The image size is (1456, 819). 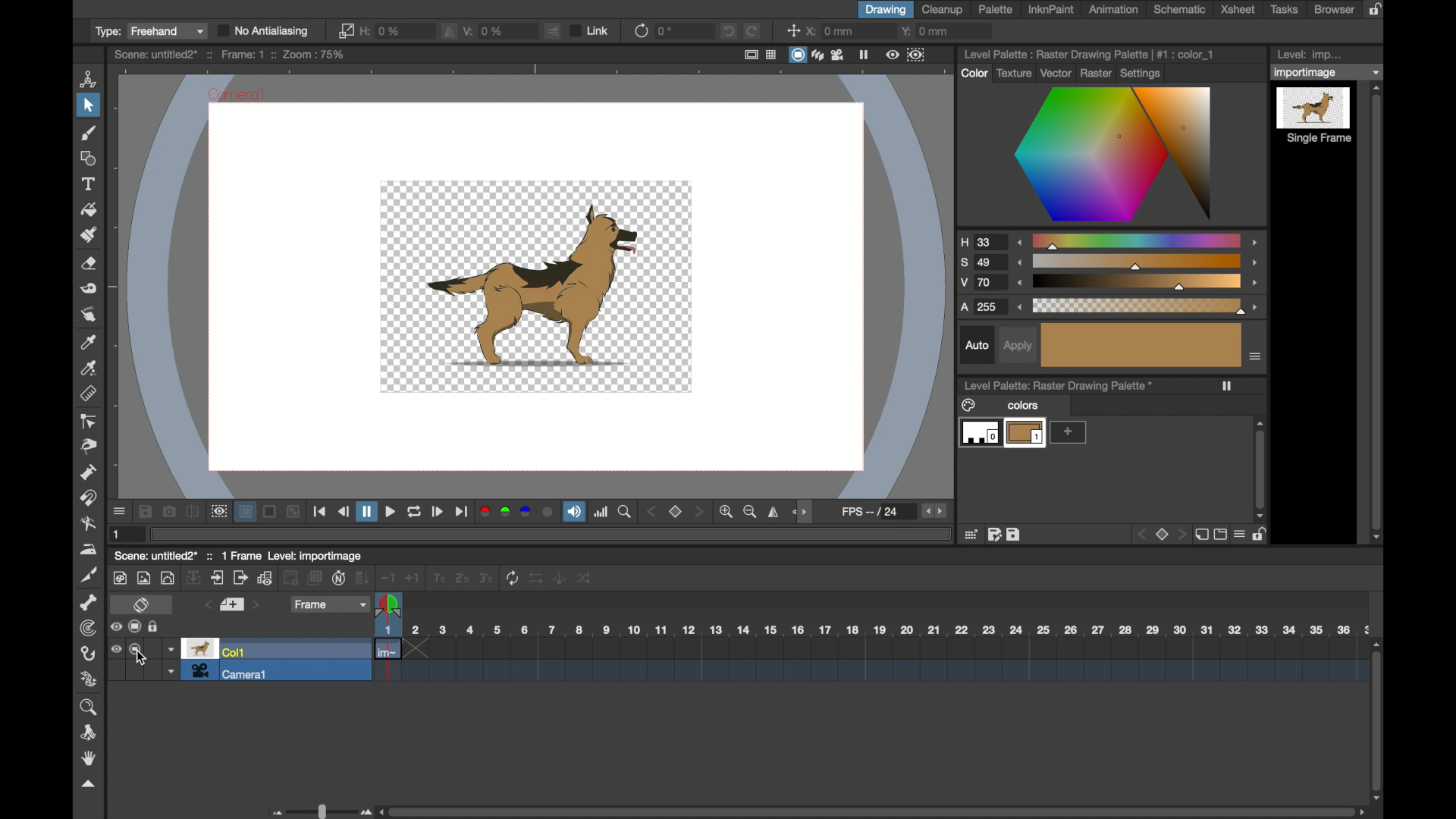 What do you see at coordinates (91, 498) in the screenshot?
I see `magnet tool` at bounding box center [91, 498].